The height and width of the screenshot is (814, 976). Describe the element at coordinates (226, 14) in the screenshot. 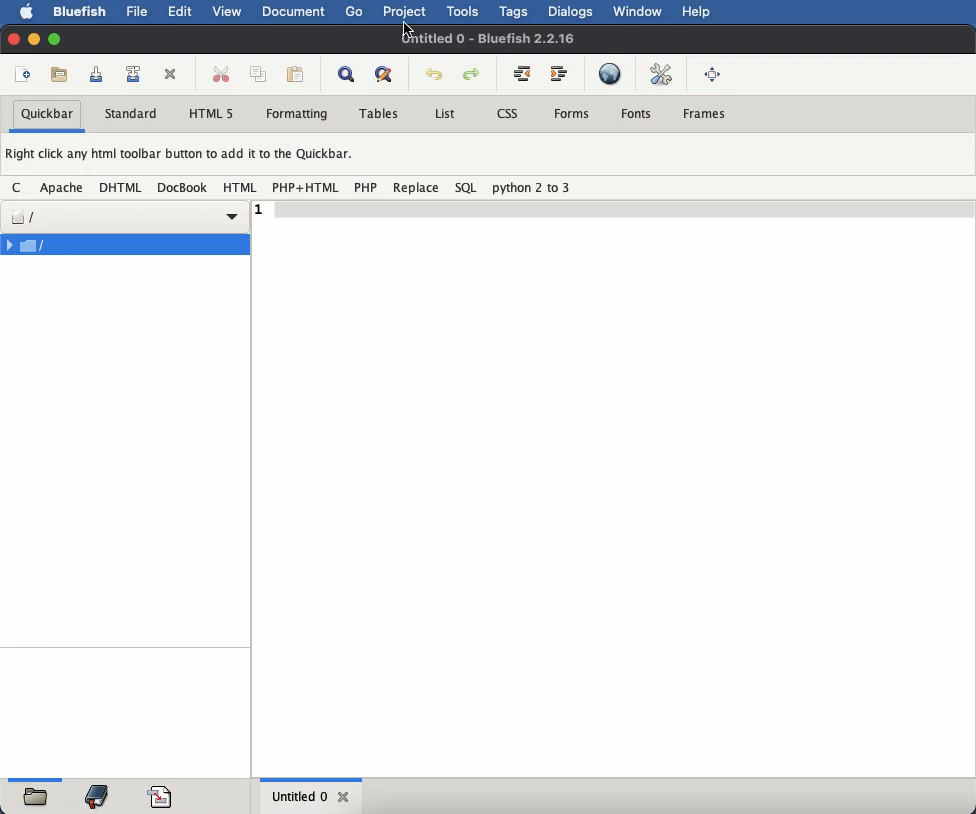

I see `view` at that location.